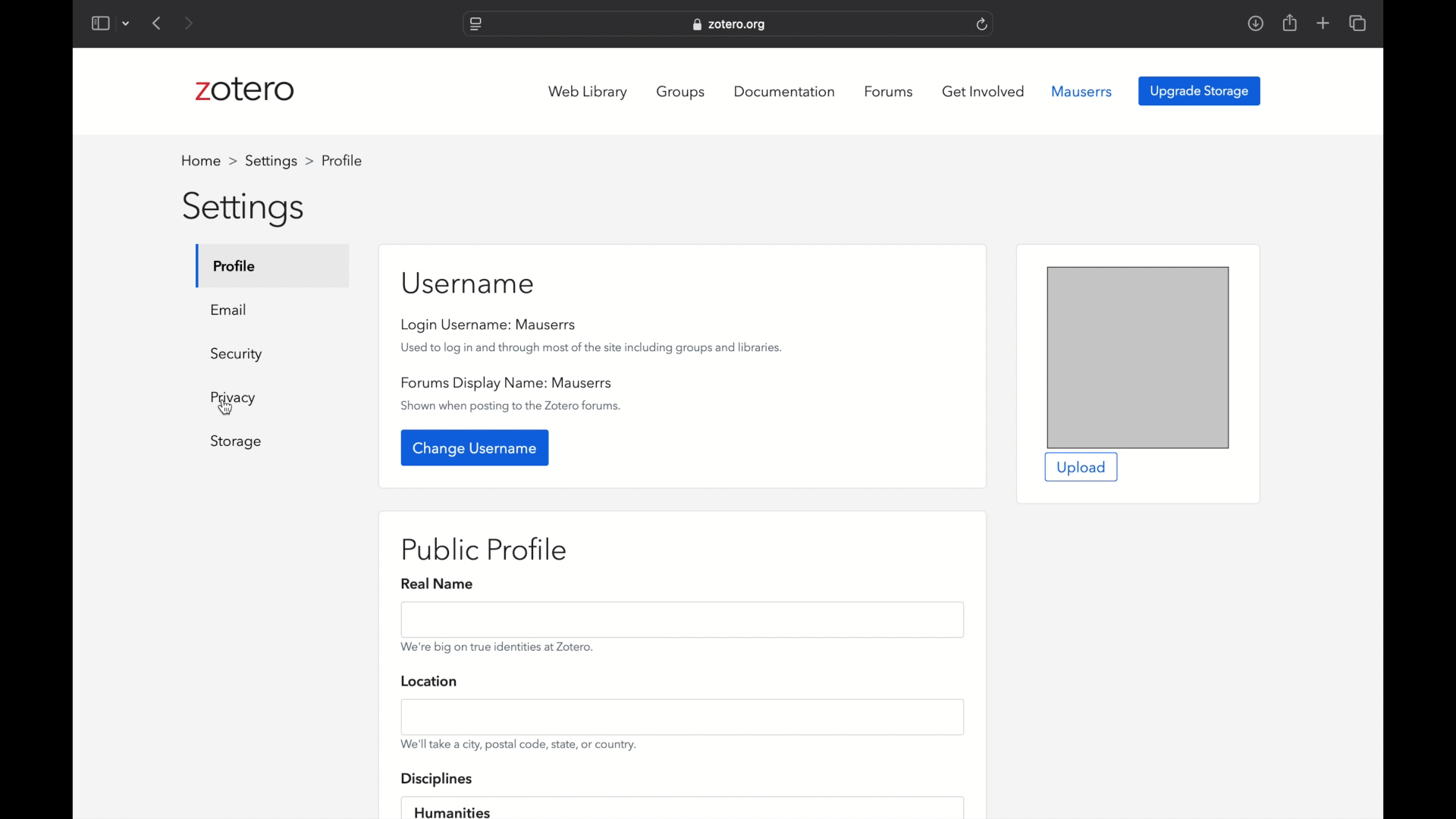 The image size is (1456, 819). What do you see at coordinates (1291, 22) in the screenshot?
I see `share` at bounding box center [1291, 22].